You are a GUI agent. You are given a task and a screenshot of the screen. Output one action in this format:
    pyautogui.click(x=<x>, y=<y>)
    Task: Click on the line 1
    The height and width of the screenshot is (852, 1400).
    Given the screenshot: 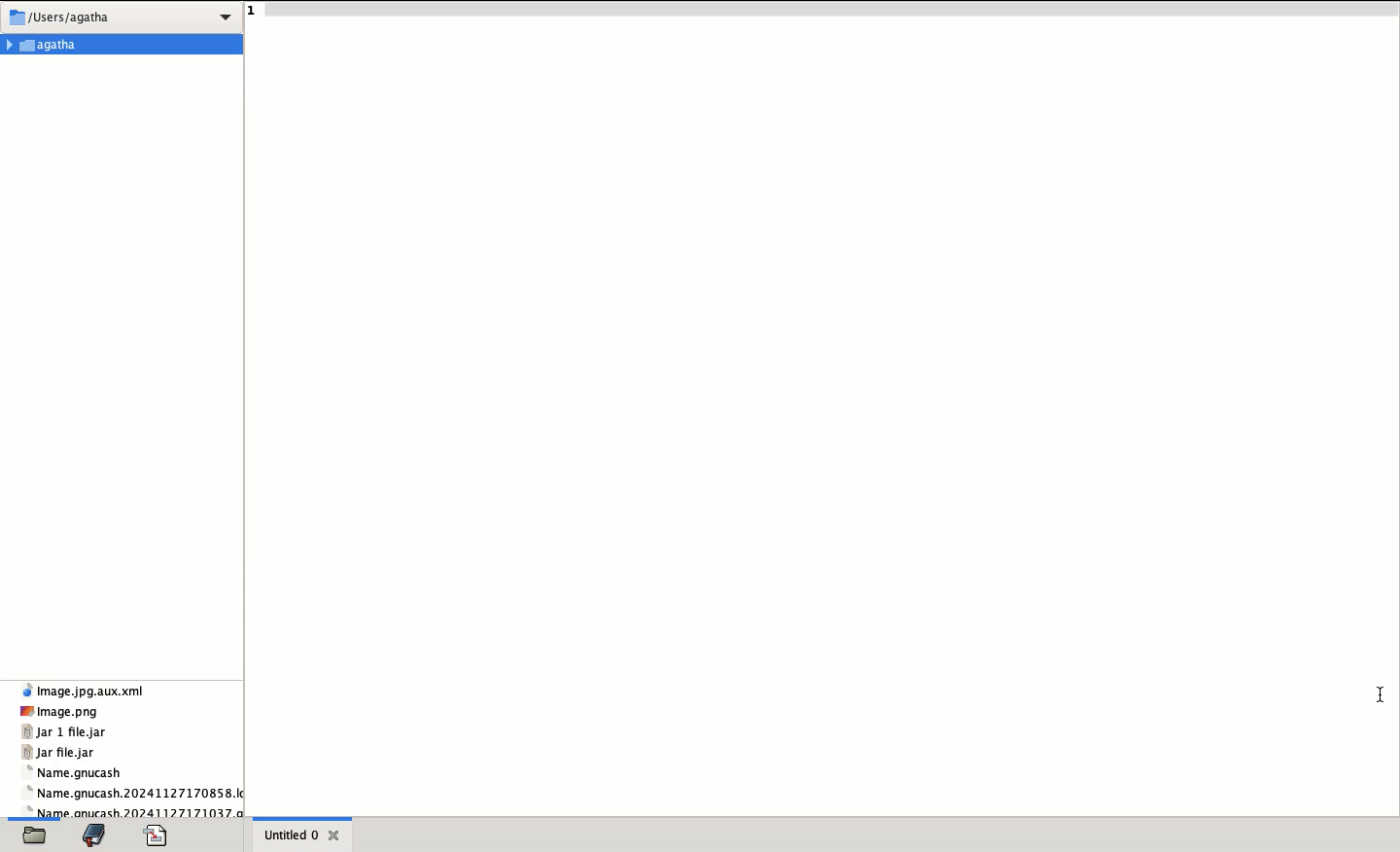 What is the action you would take?
    pyautogui.click(x=822, y=10)
    